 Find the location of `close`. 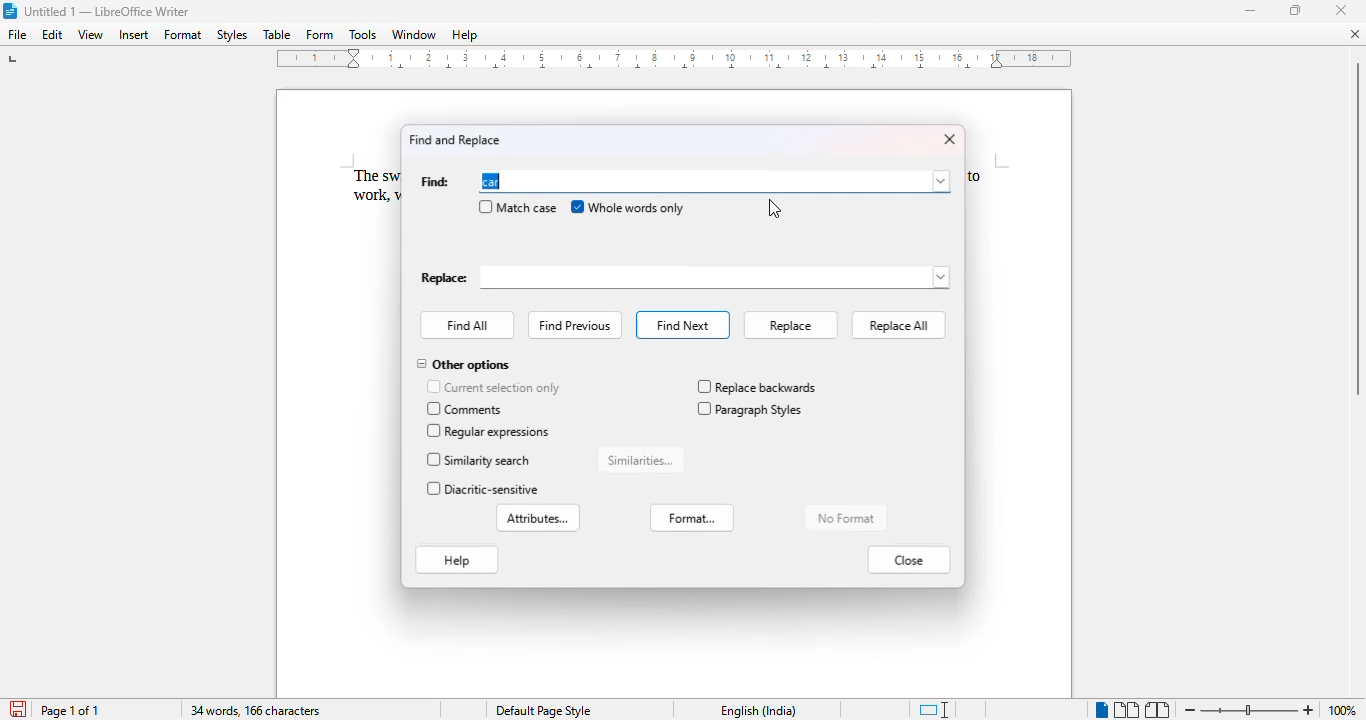

close is located at coordinates (1341, 10).